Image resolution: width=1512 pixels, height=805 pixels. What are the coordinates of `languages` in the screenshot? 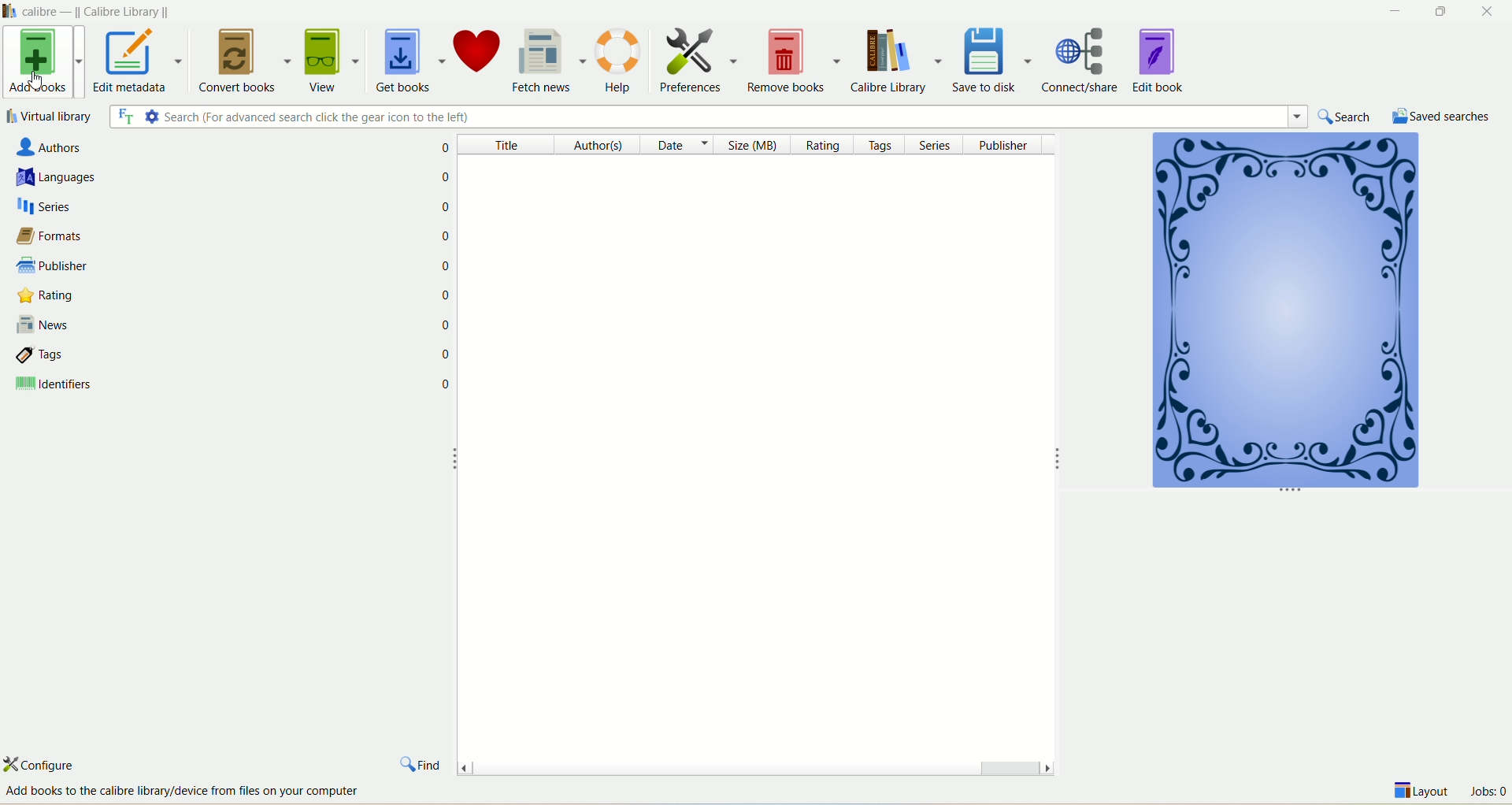 It's located at (200, 178).